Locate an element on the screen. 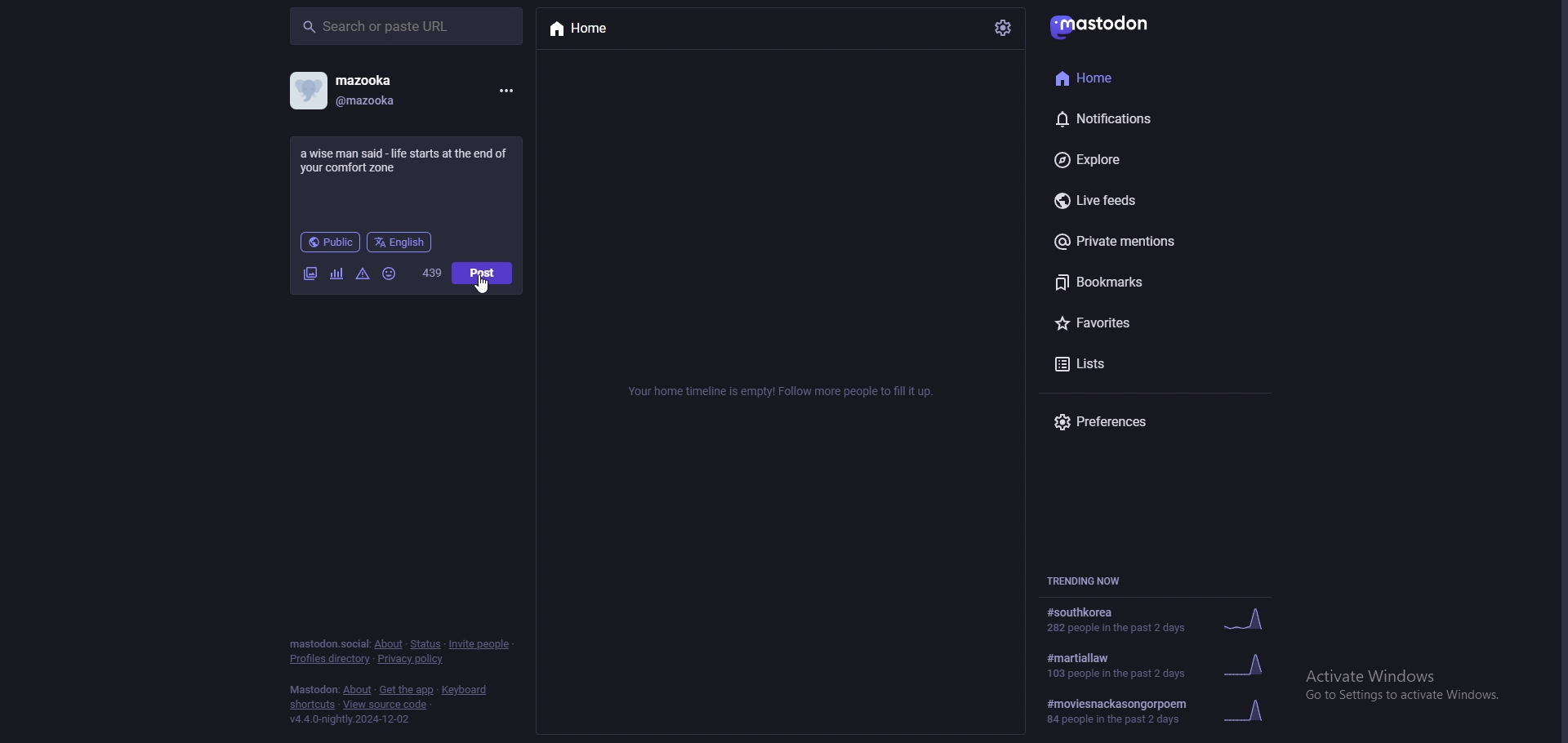  trending is located at coordinates (1158, 618).